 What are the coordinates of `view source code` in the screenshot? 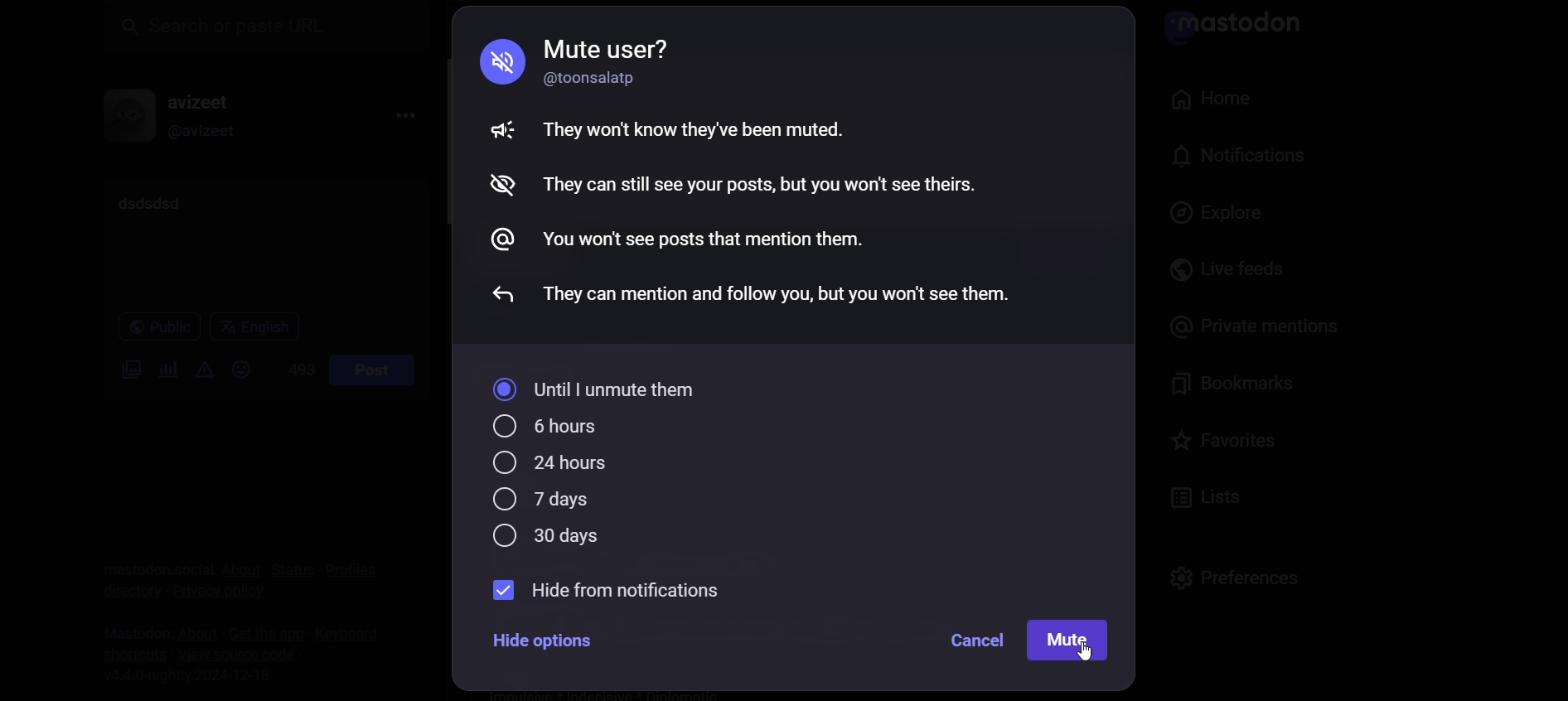 It's located at (239, 656).